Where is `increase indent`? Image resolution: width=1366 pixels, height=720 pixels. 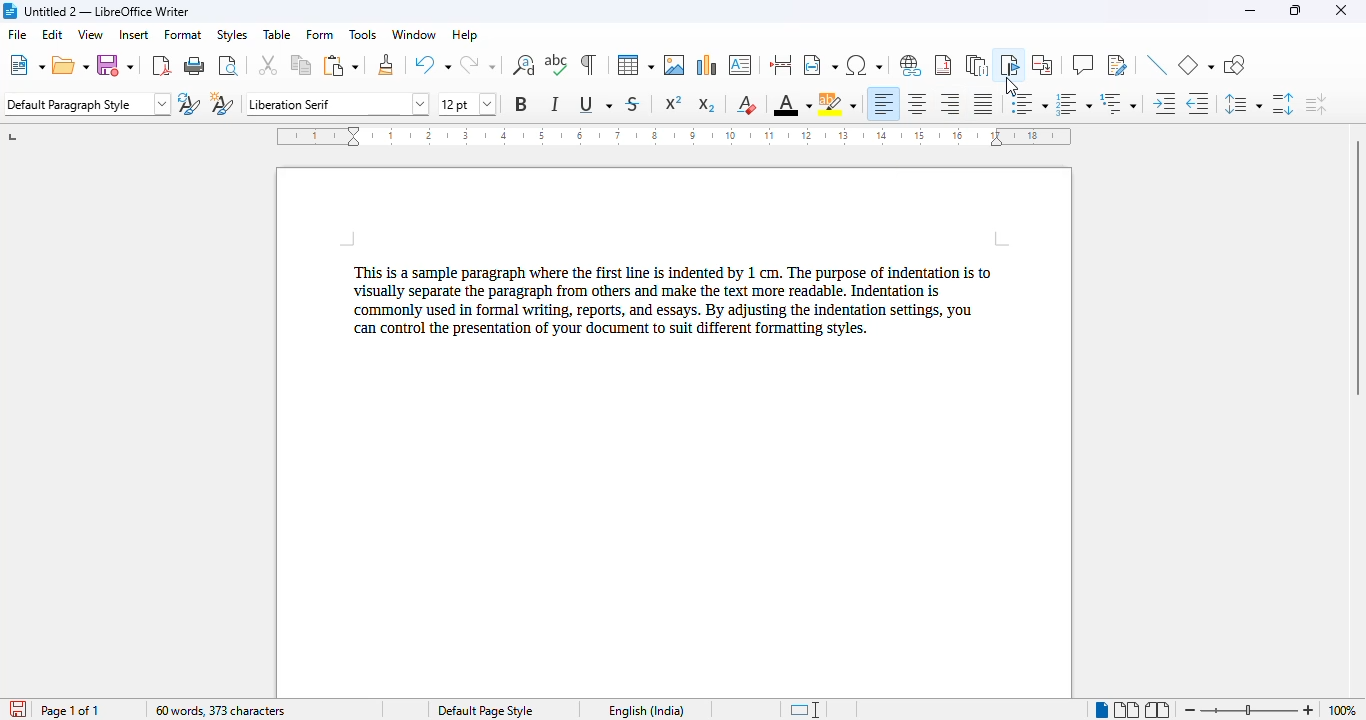
increase indent is located at coordinates (1163, 103).